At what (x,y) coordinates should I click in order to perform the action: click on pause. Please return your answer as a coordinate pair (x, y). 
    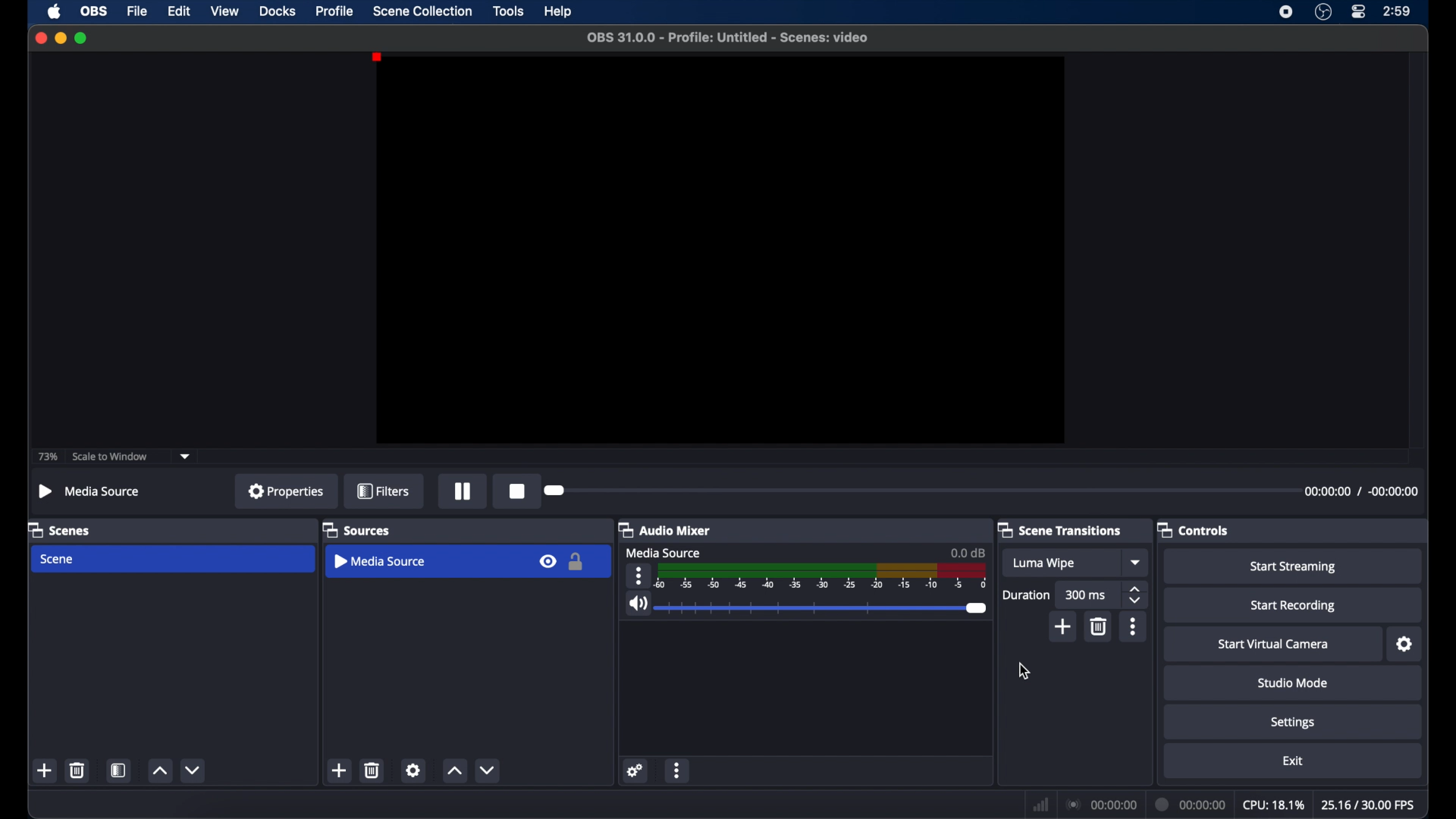
    Looking at the image, I should click on (463, 491).